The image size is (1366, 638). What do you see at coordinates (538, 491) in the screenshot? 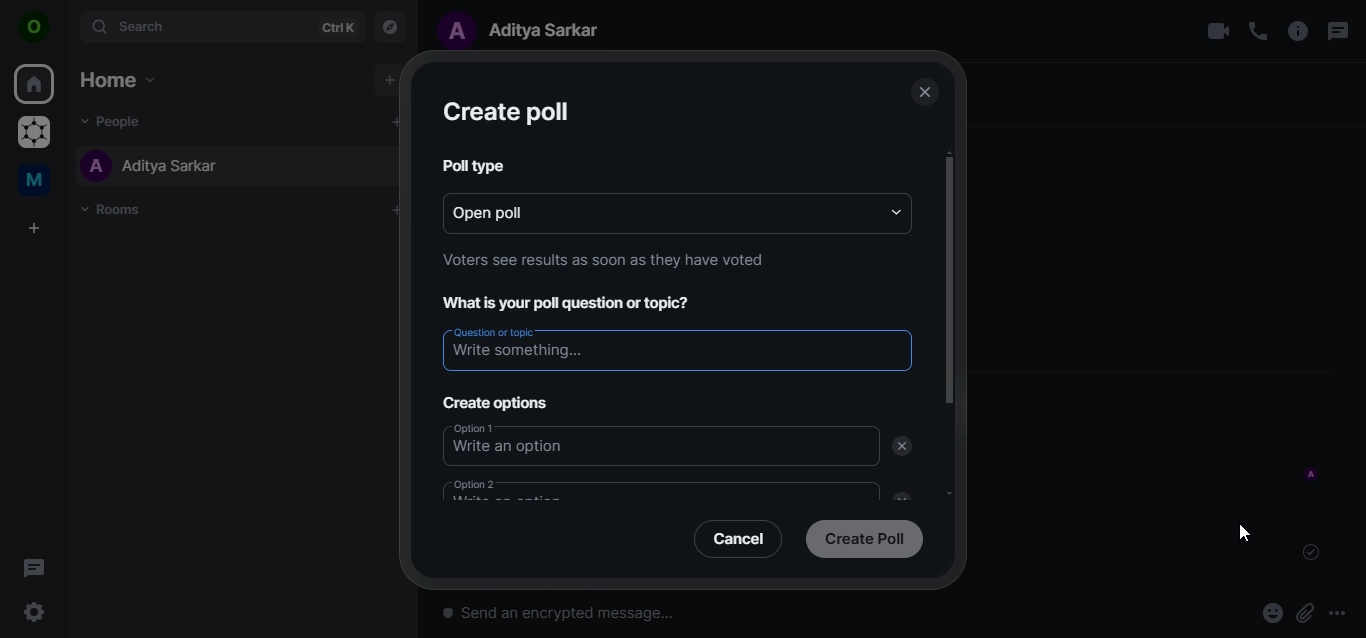
I see `option  2` at bounding box center [538, 491].